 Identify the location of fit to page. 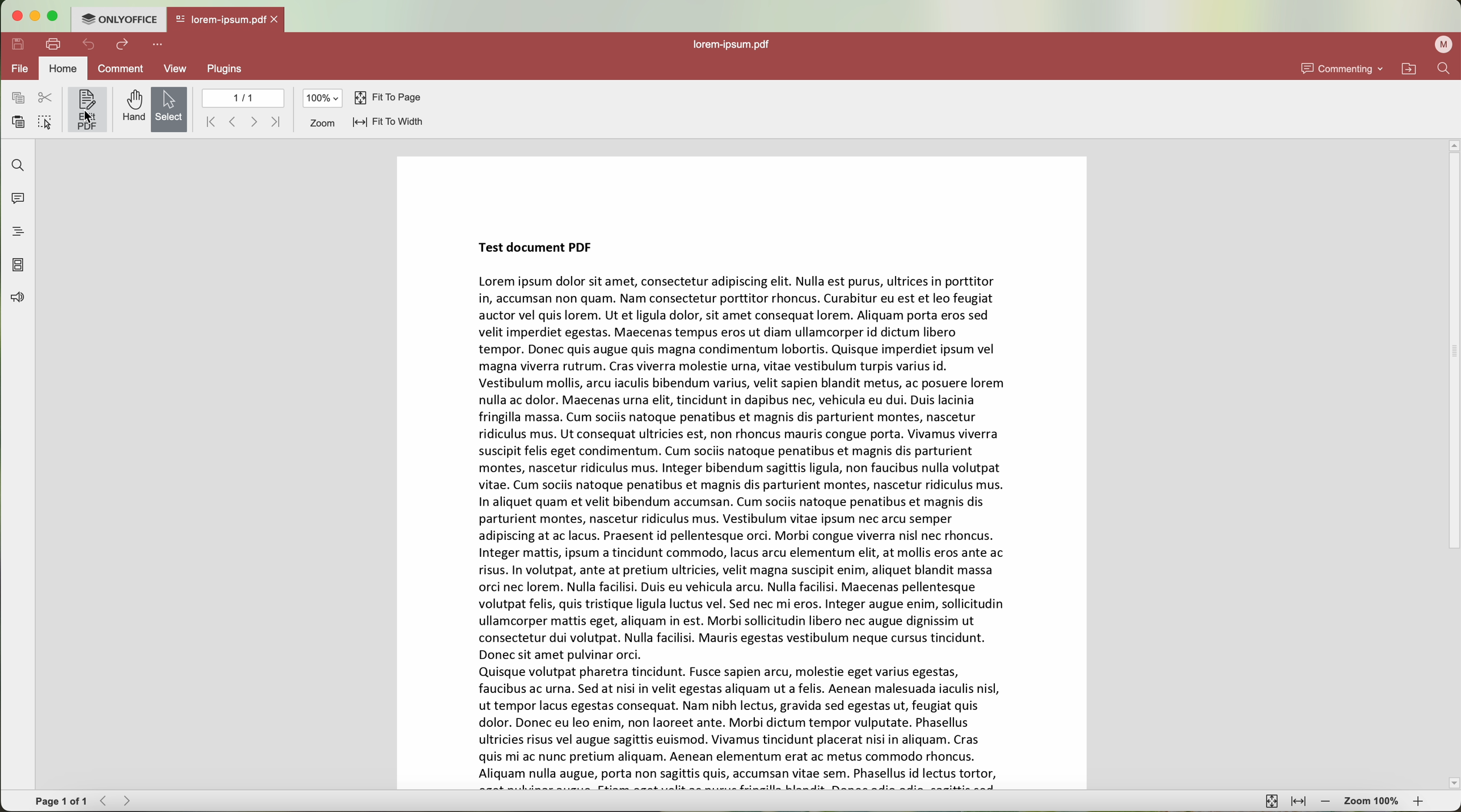
(1270, 801).